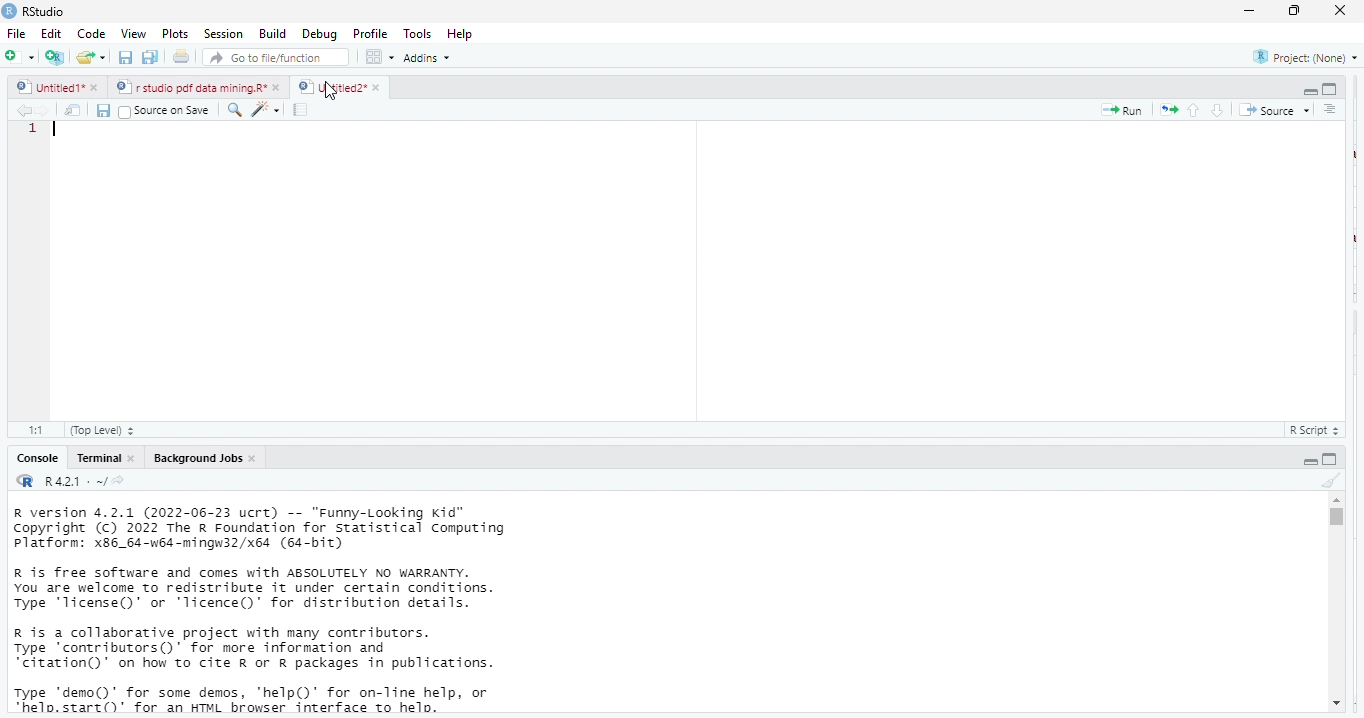 The width and height of the screenshot is (1364, 718). What do you see at coordinates (126, 58) in the screenshot?
I see `save current document` at bounding box center [126, 58].